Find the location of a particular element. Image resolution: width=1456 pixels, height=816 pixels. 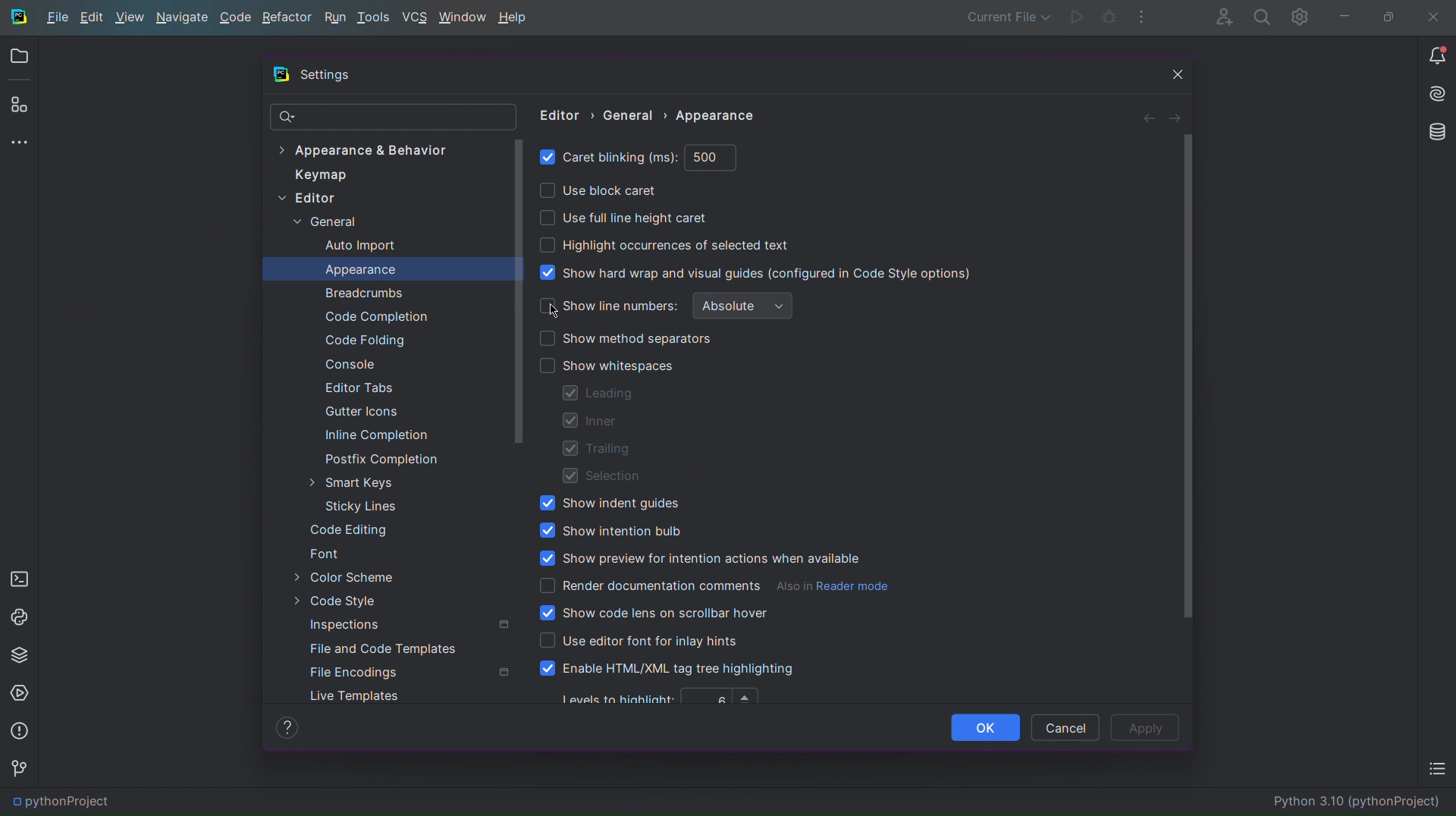

Appearance & Behavior is located at coordinates (362, 149).